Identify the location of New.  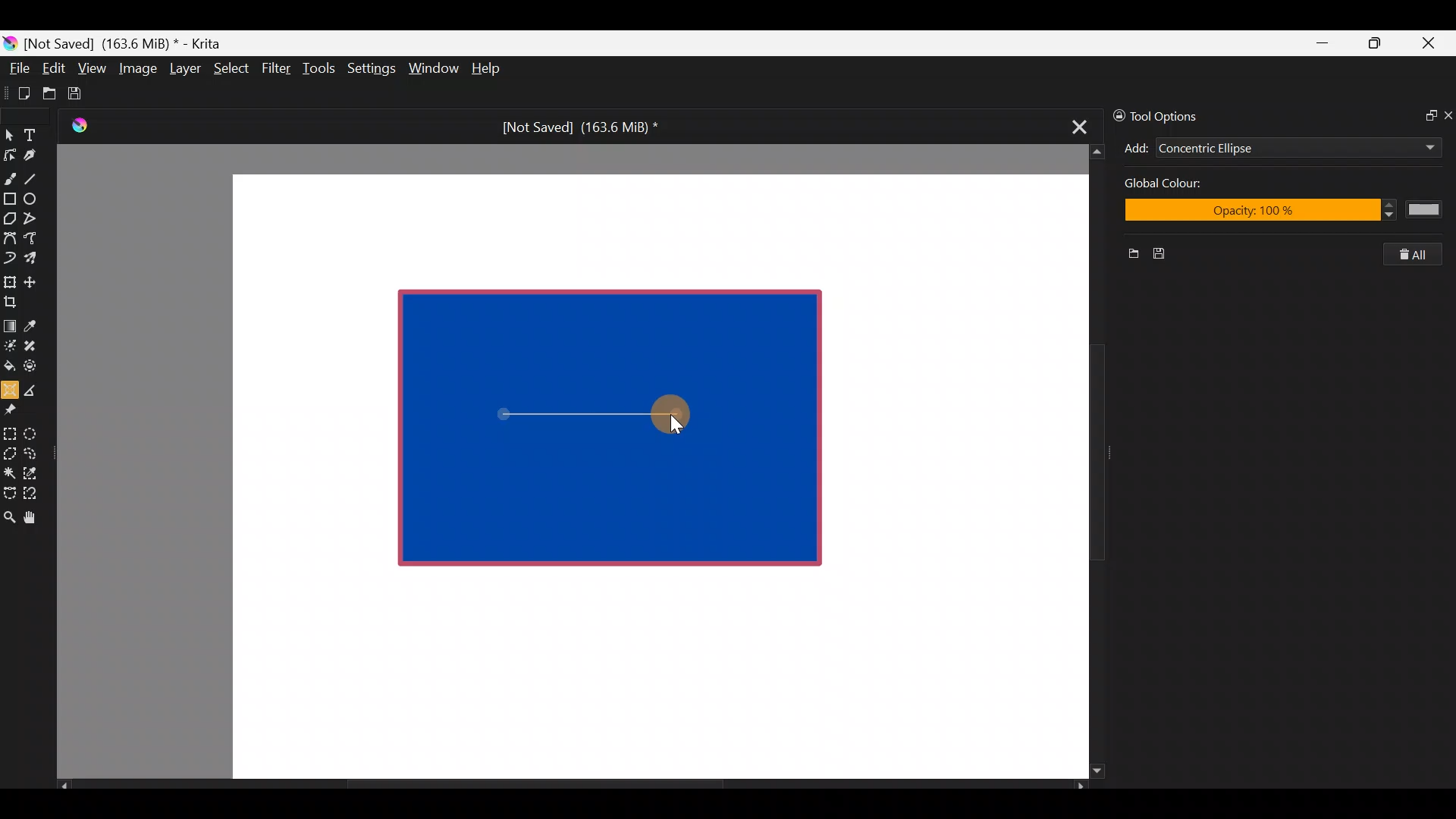
(1128, 256).